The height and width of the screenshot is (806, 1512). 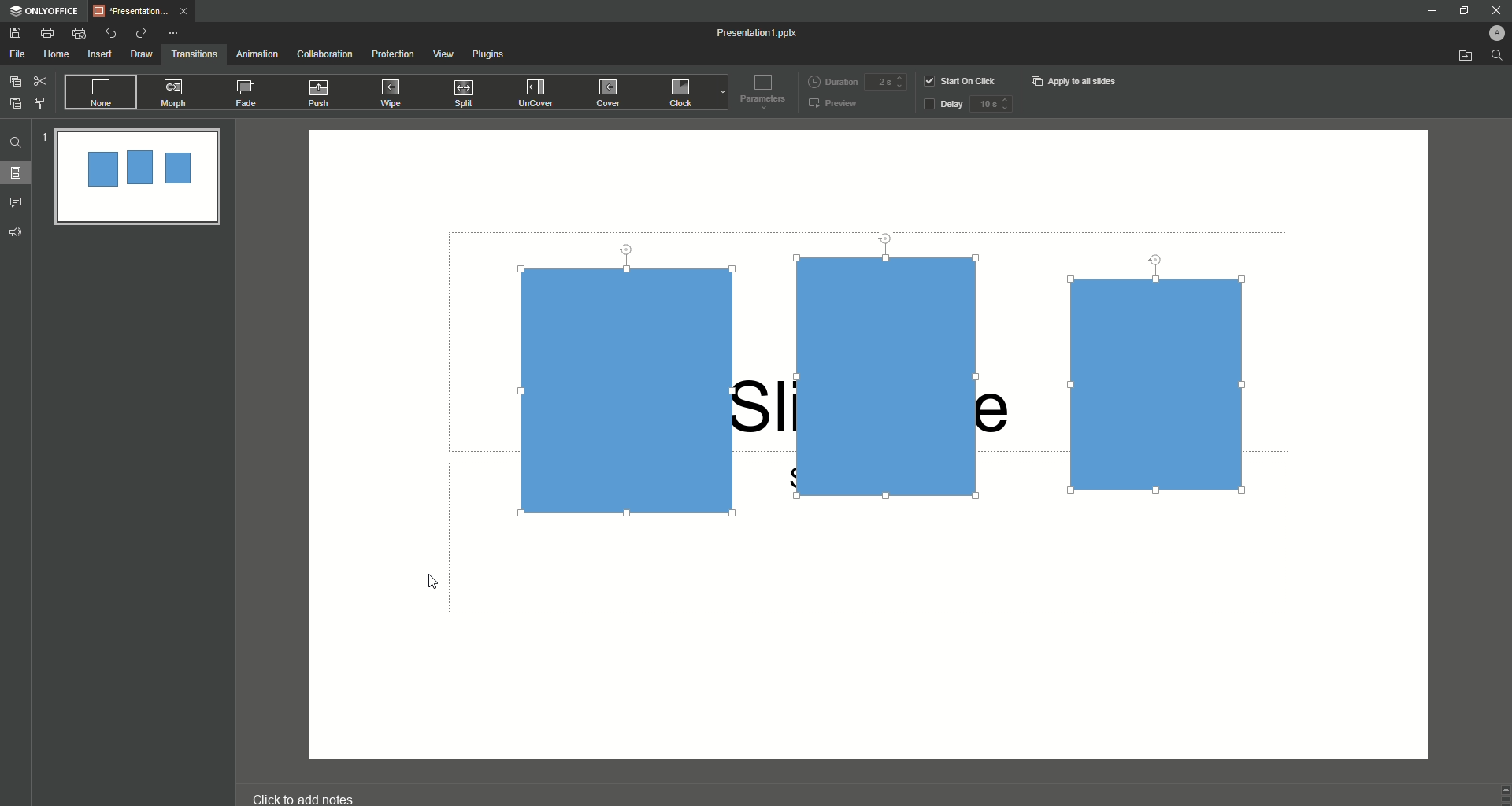 I want to click on Shape 1, so click(x=629, y=389).